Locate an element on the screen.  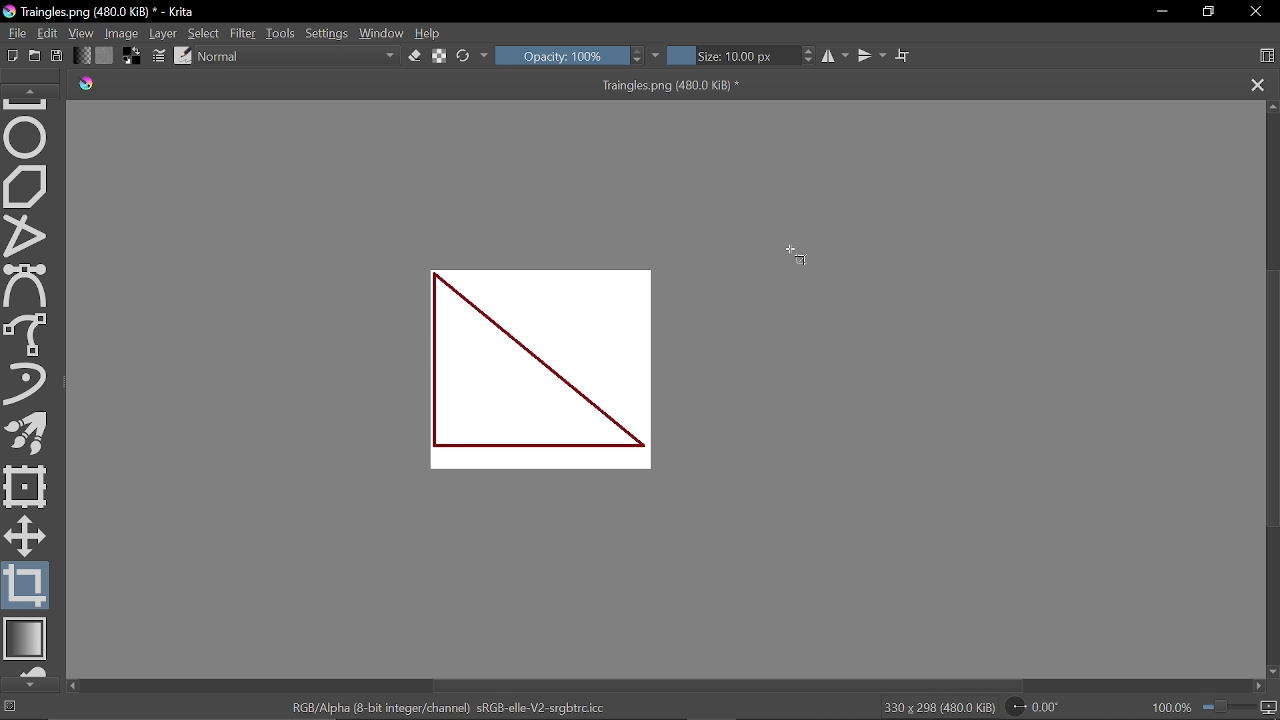
100.0& is located at coordinates (1216, 705).